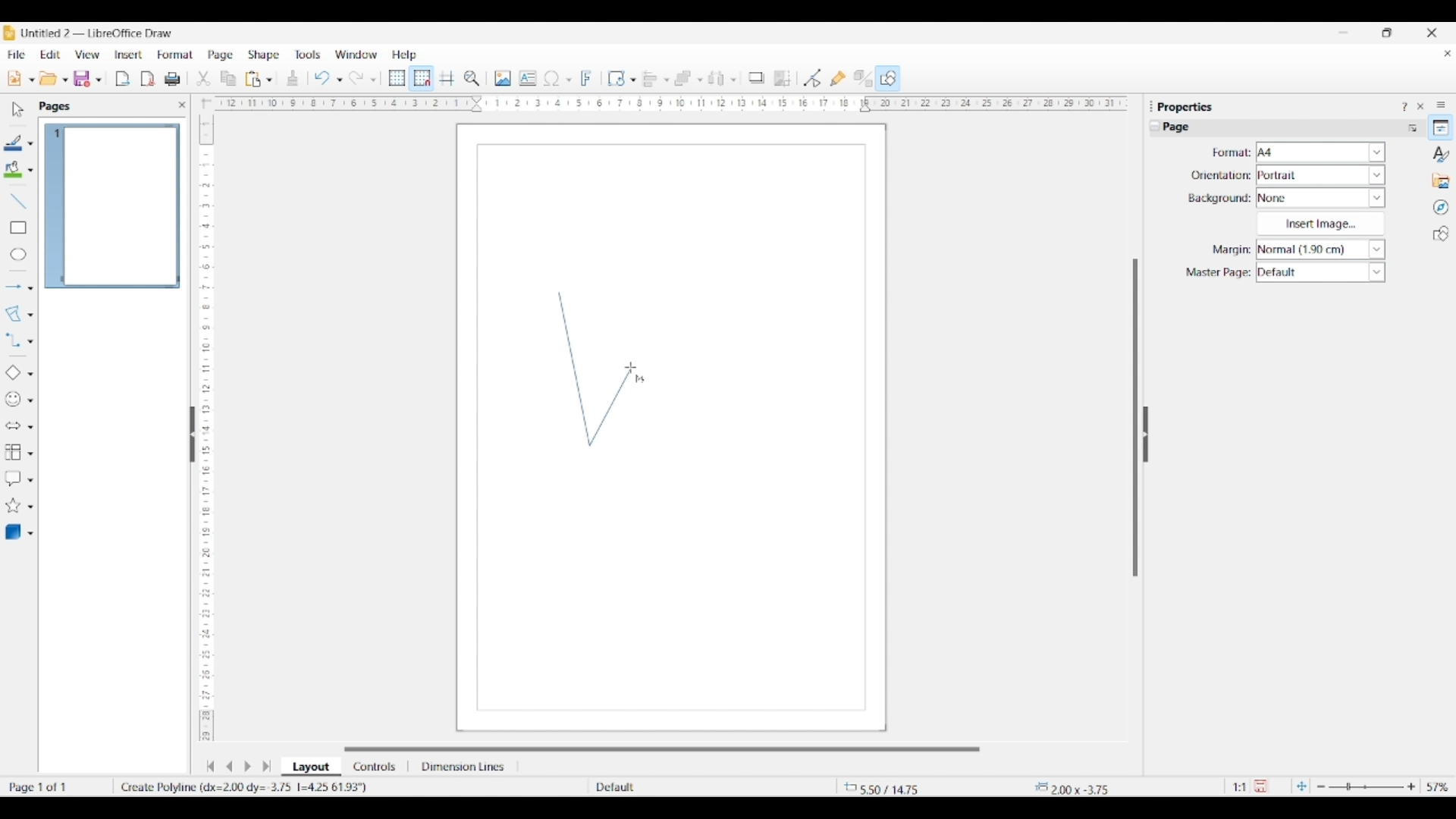 Image resolution: width=1456 pixels, height=819 pixels. What do you see at coordinates (1219, 199) in the screenshot?
I see `Indicates background settings` at bounding box center [1219, 199].